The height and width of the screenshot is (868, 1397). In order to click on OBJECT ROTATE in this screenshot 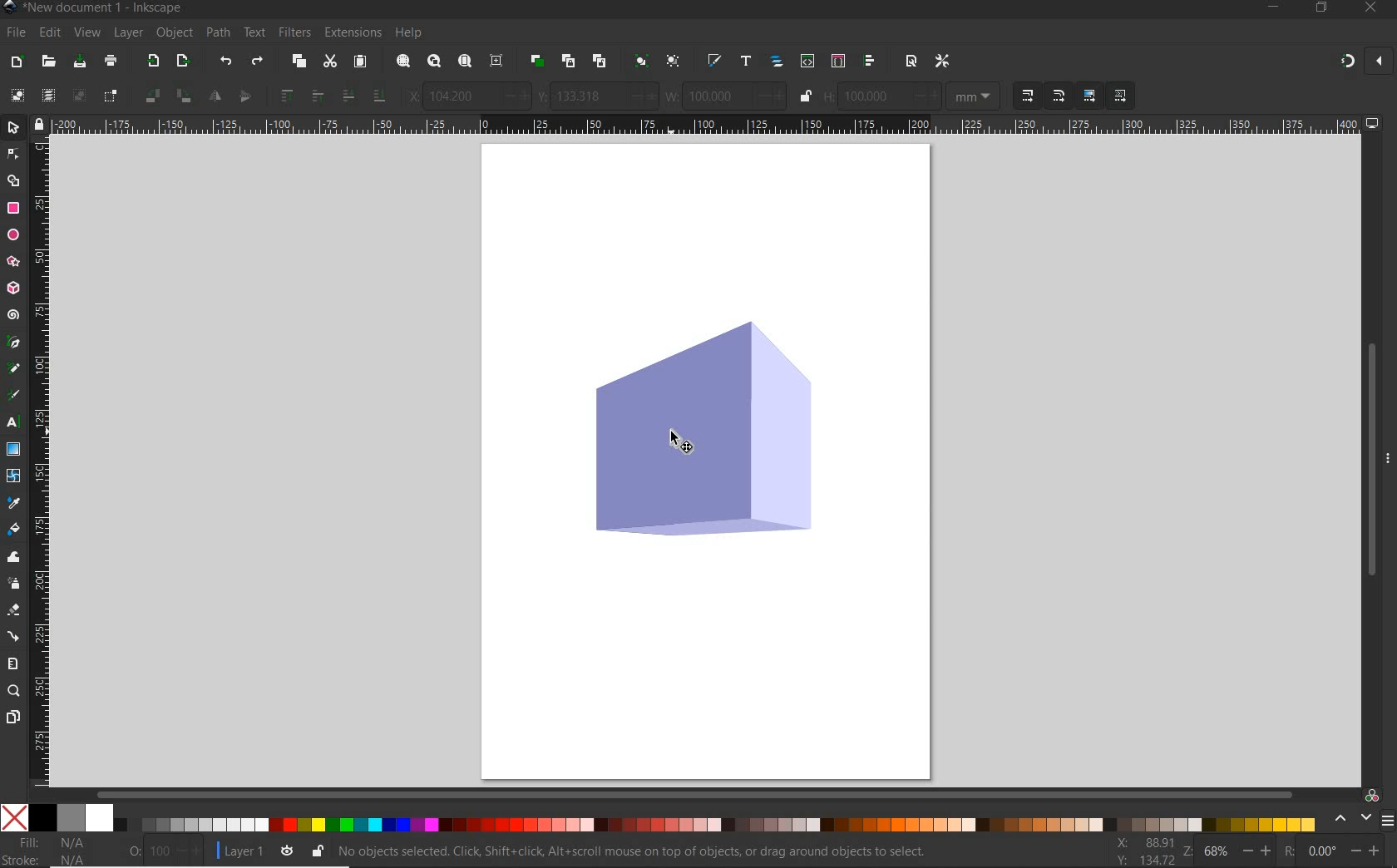, I will do `click(151, 94)`.